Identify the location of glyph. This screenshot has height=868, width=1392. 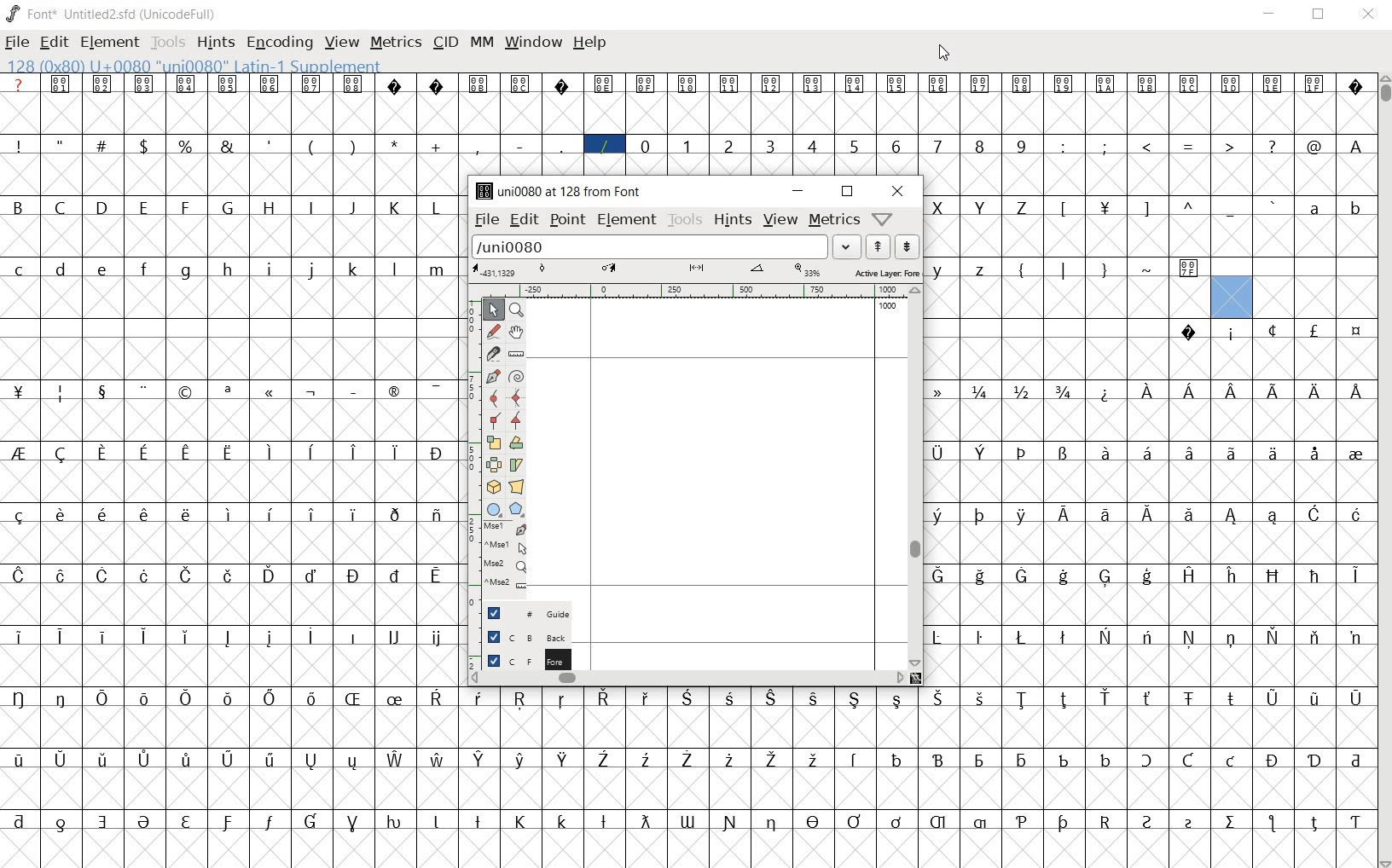
(1189, 84).